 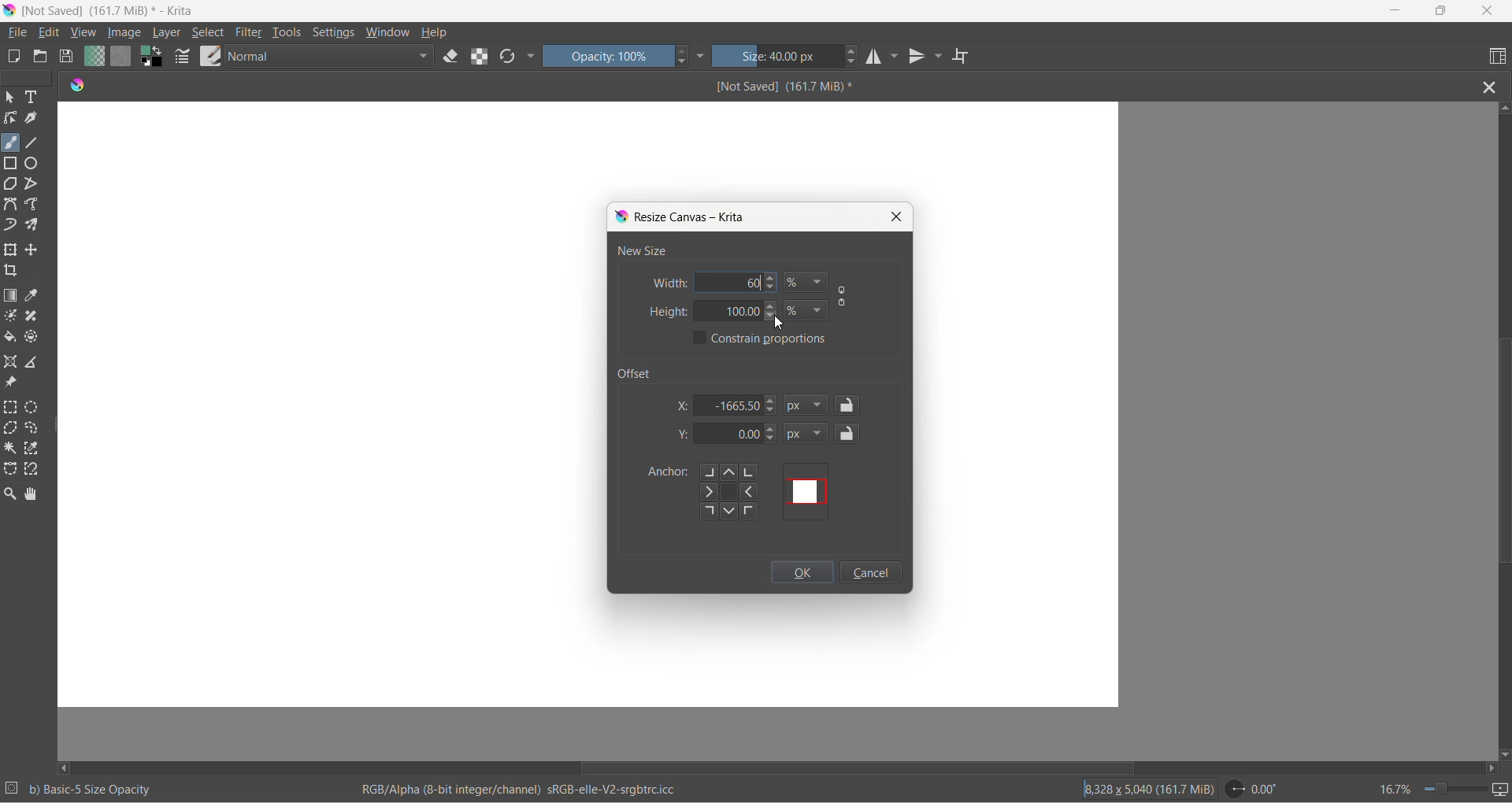 What do you see at coordinates (337, 34) in the screenshot?
I see `settings` at bounding box center [337, 34].